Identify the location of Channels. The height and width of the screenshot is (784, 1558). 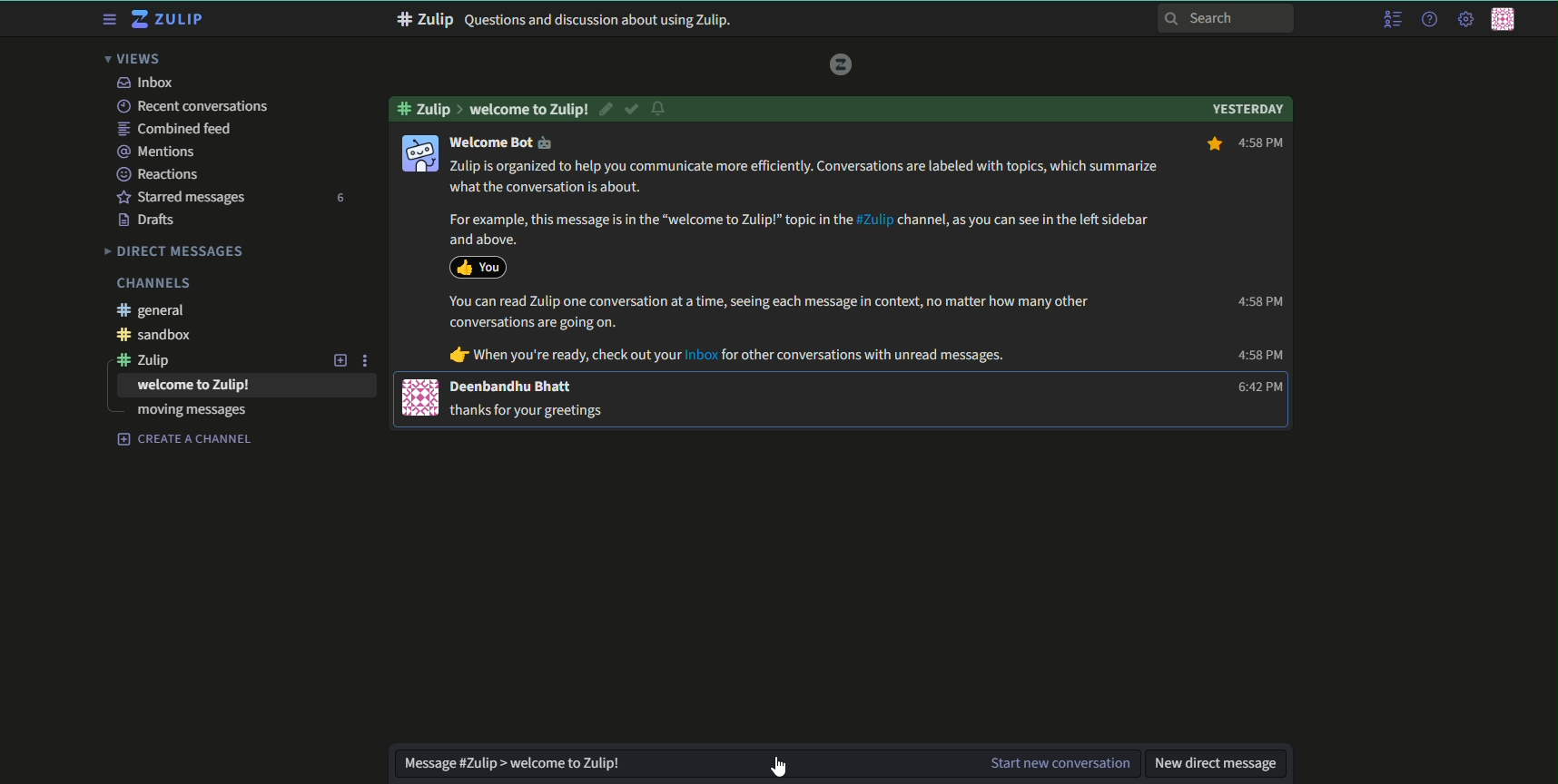
(153, 283).